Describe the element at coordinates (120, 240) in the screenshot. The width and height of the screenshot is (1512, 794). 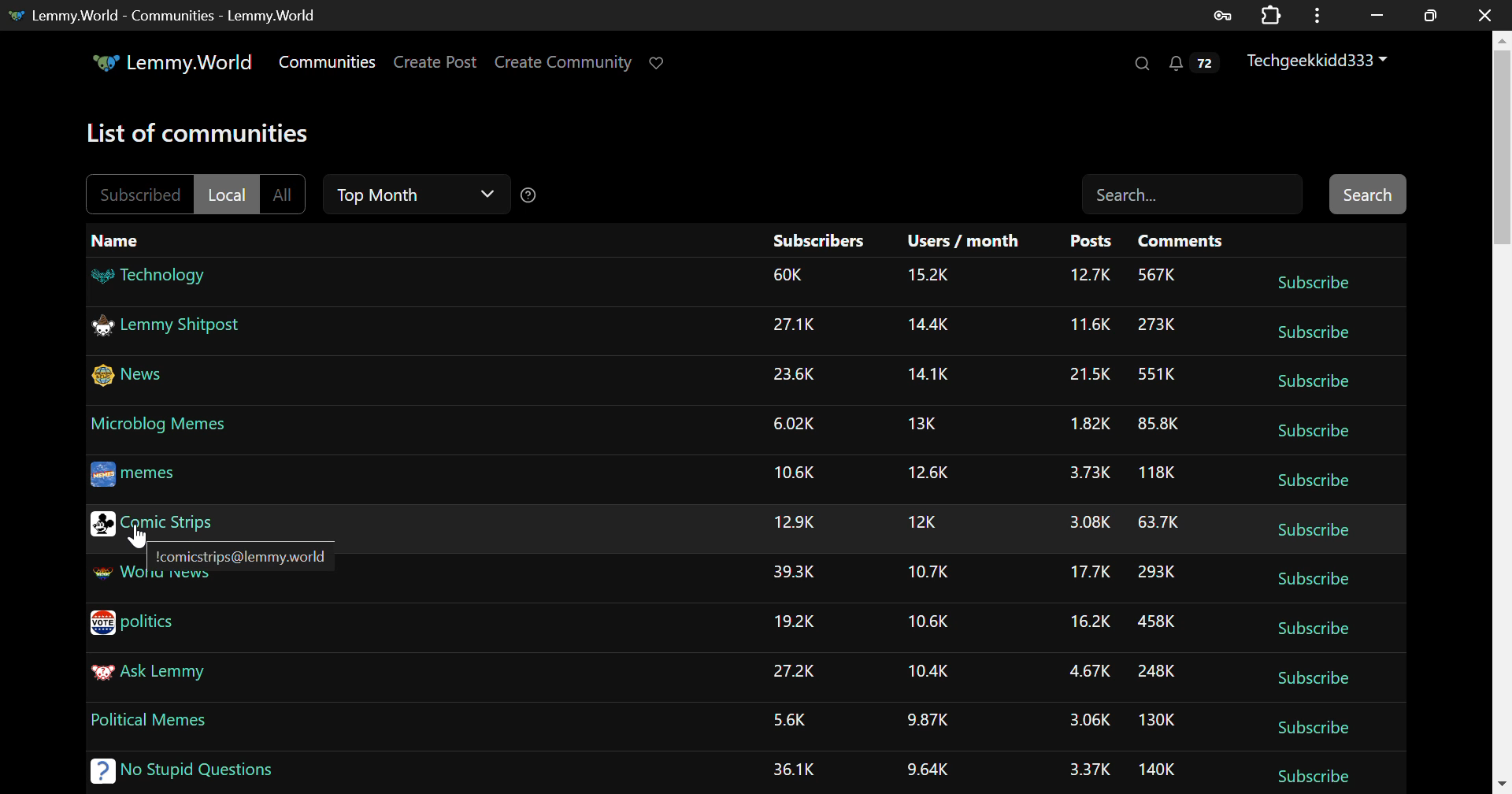
I see `Name` at that location.